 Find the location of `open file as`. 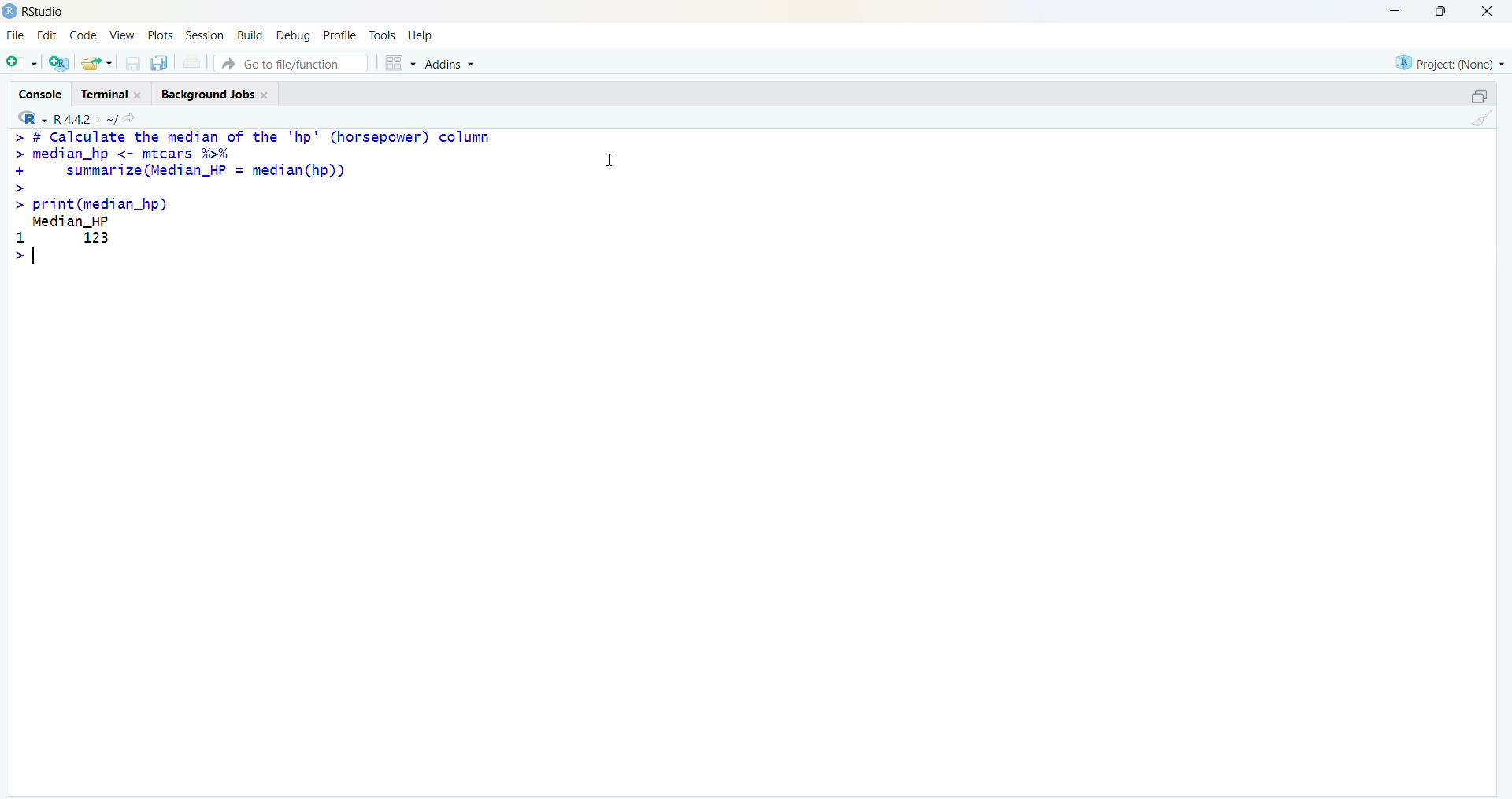

open file as is located at coordinates (23, 64).